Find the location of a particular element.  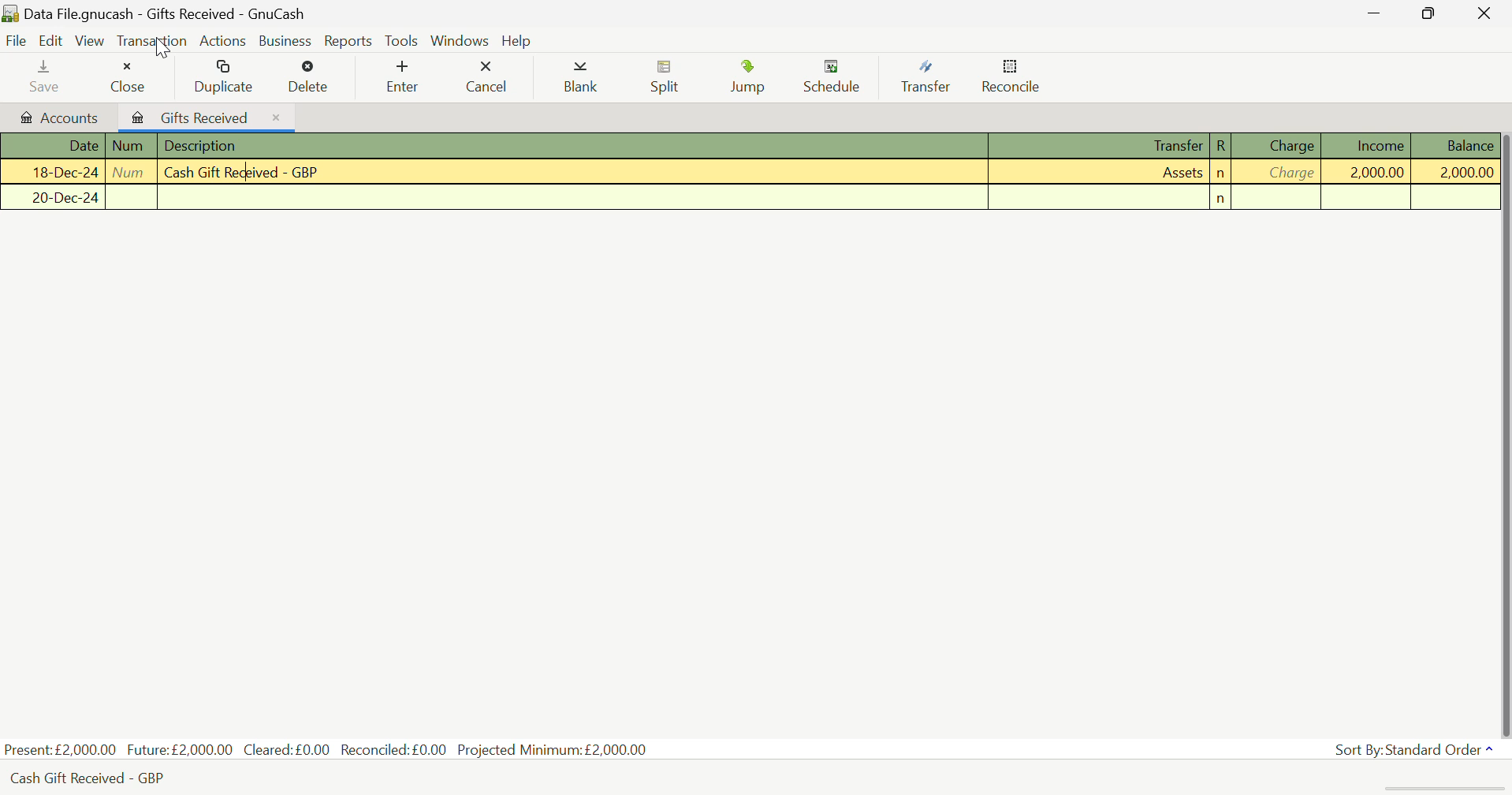

Transfer is located at coordinates (1101, 147).